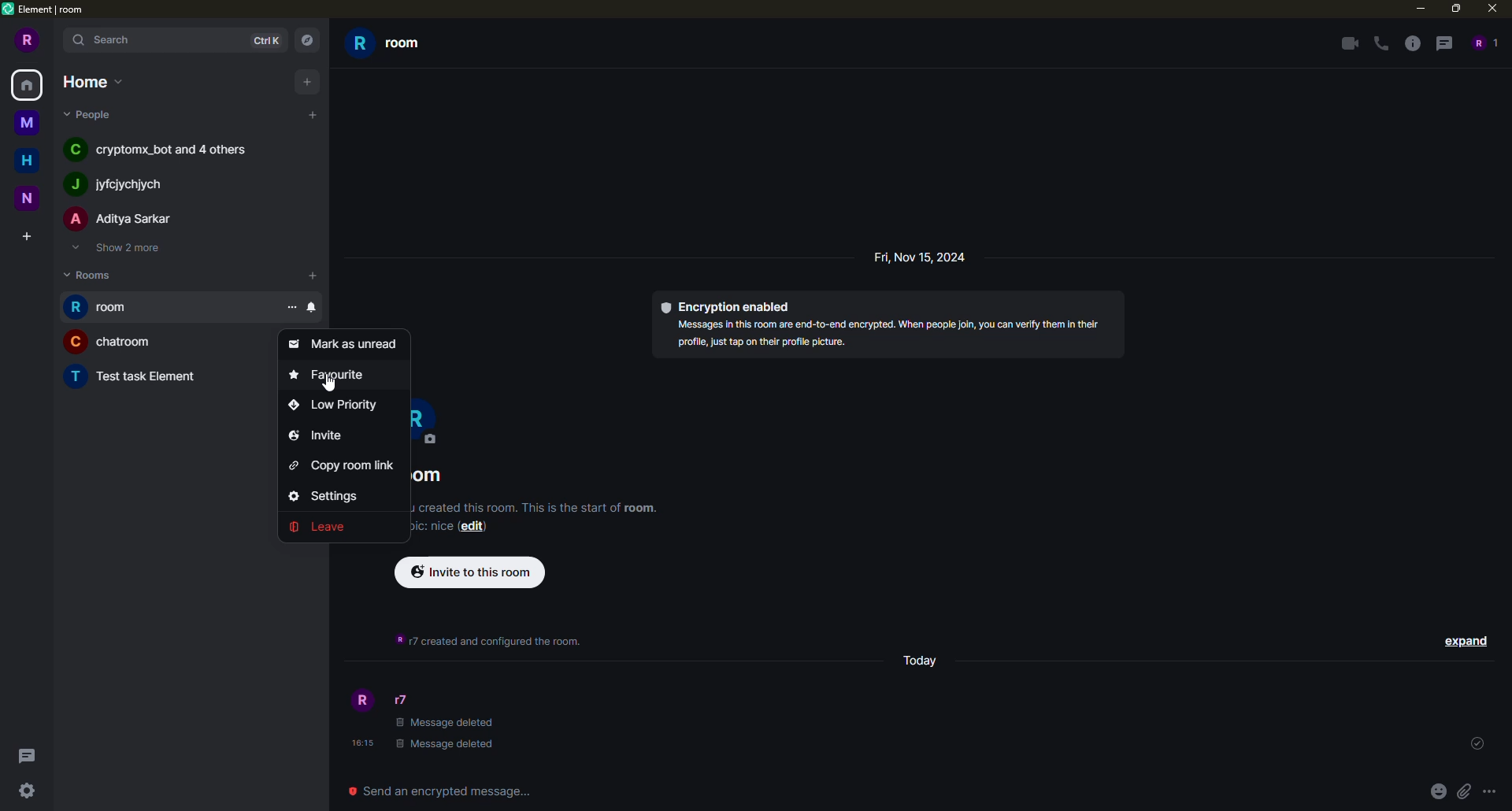 The width and height of the screenshot is (1512, 811). What do you see at coordinates (1415, 9) in the screenshot?
I see `minimize` at bounding box center [1415, 9].